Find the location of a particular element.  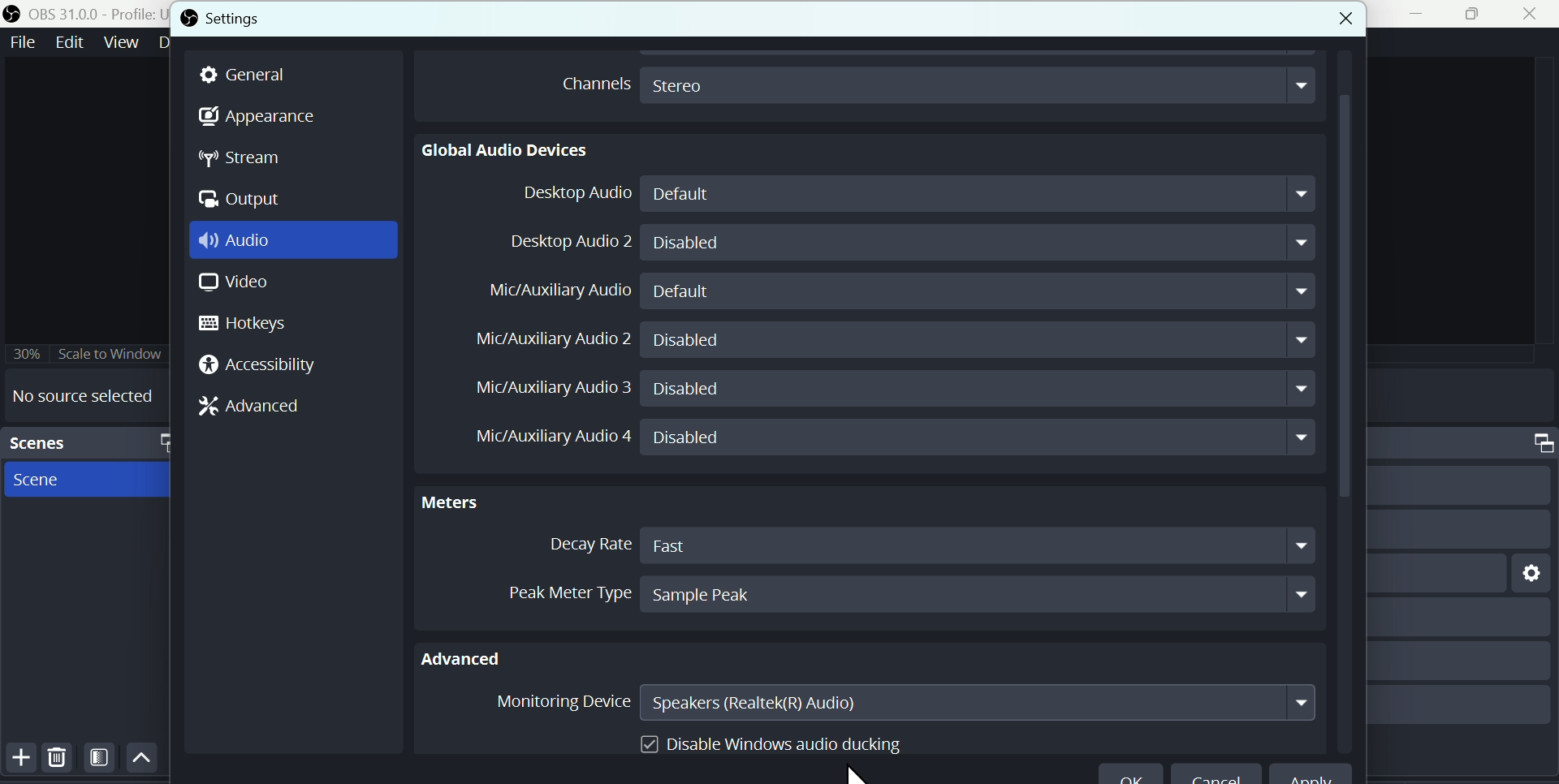

maximise is located at coordinates (1476, 15).